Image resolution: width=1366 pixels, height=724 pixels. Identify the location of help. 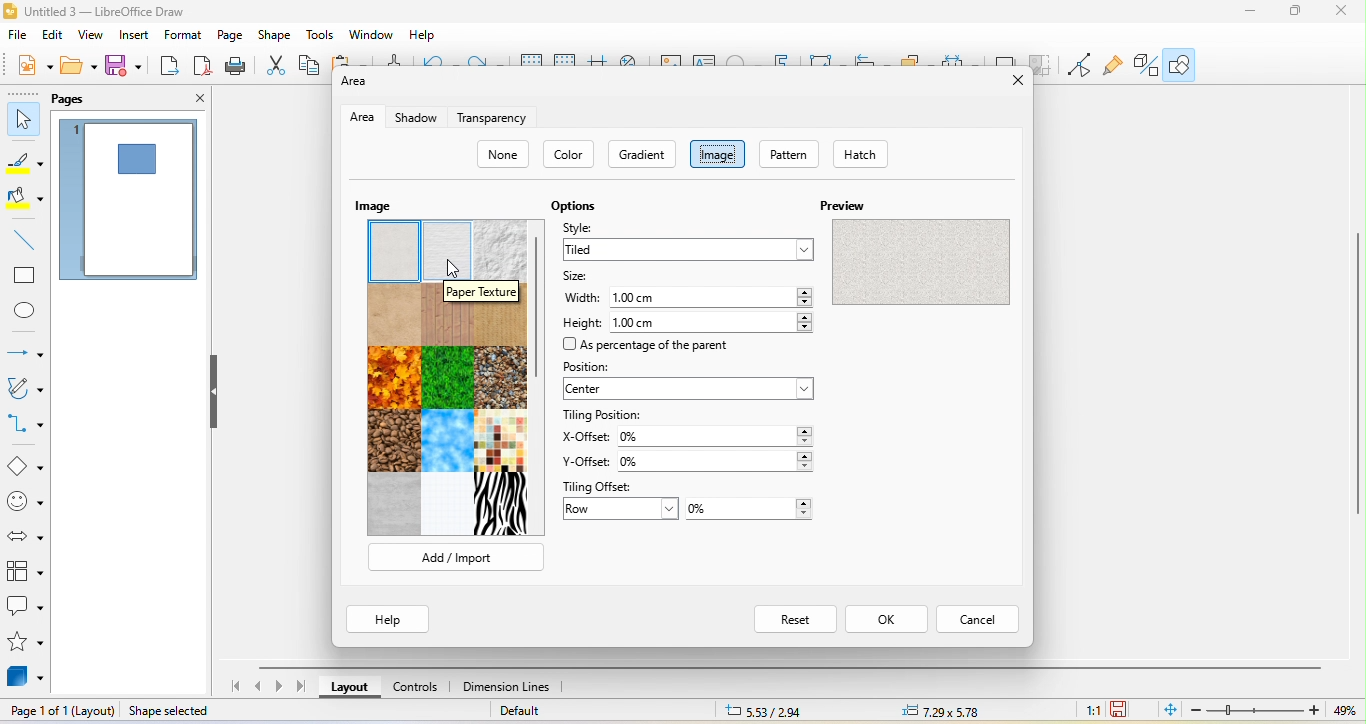
(391, 620).